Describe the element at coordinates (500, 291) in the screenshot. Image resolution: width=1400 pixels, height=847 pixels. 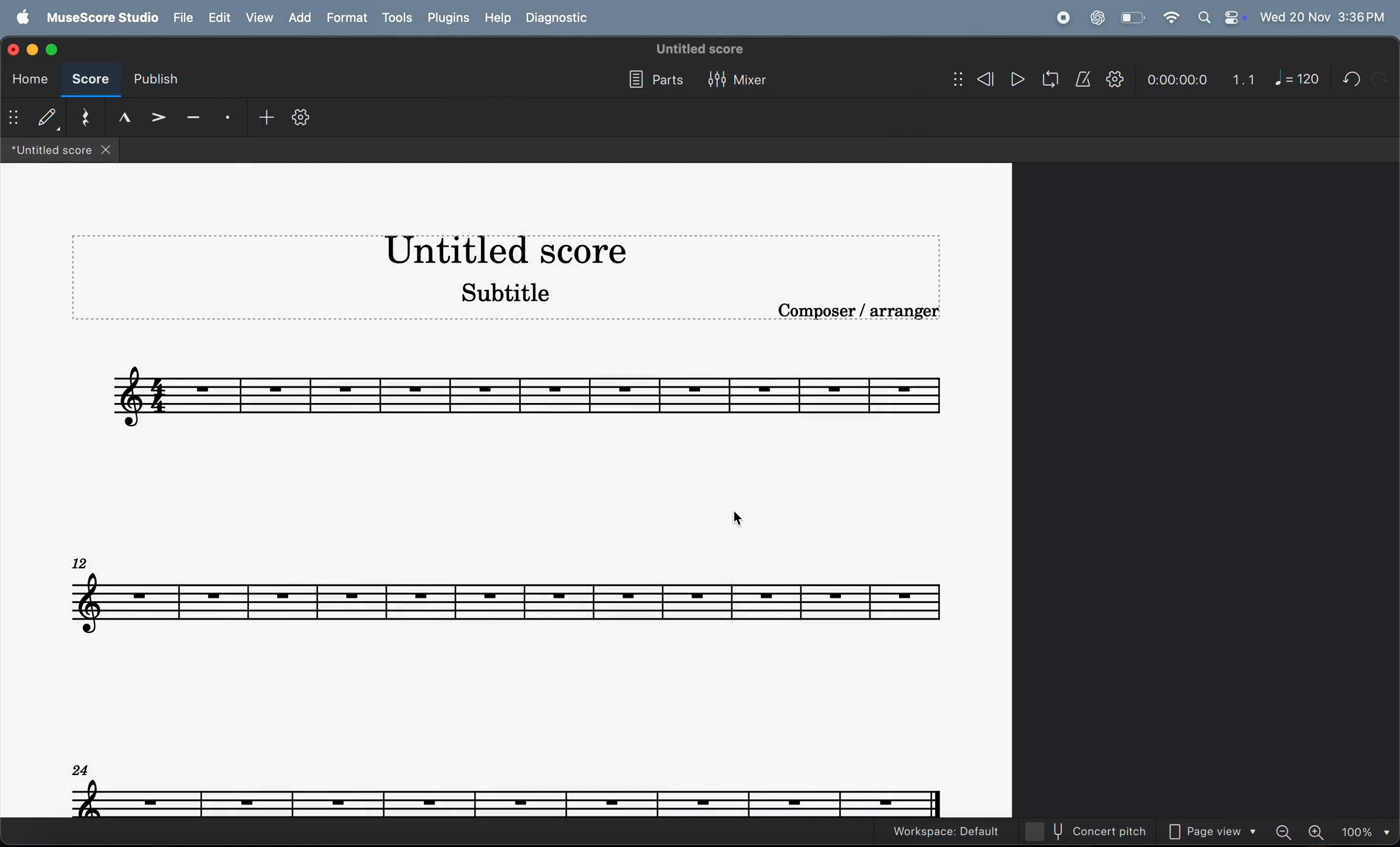
I see `subtitle` at that location.